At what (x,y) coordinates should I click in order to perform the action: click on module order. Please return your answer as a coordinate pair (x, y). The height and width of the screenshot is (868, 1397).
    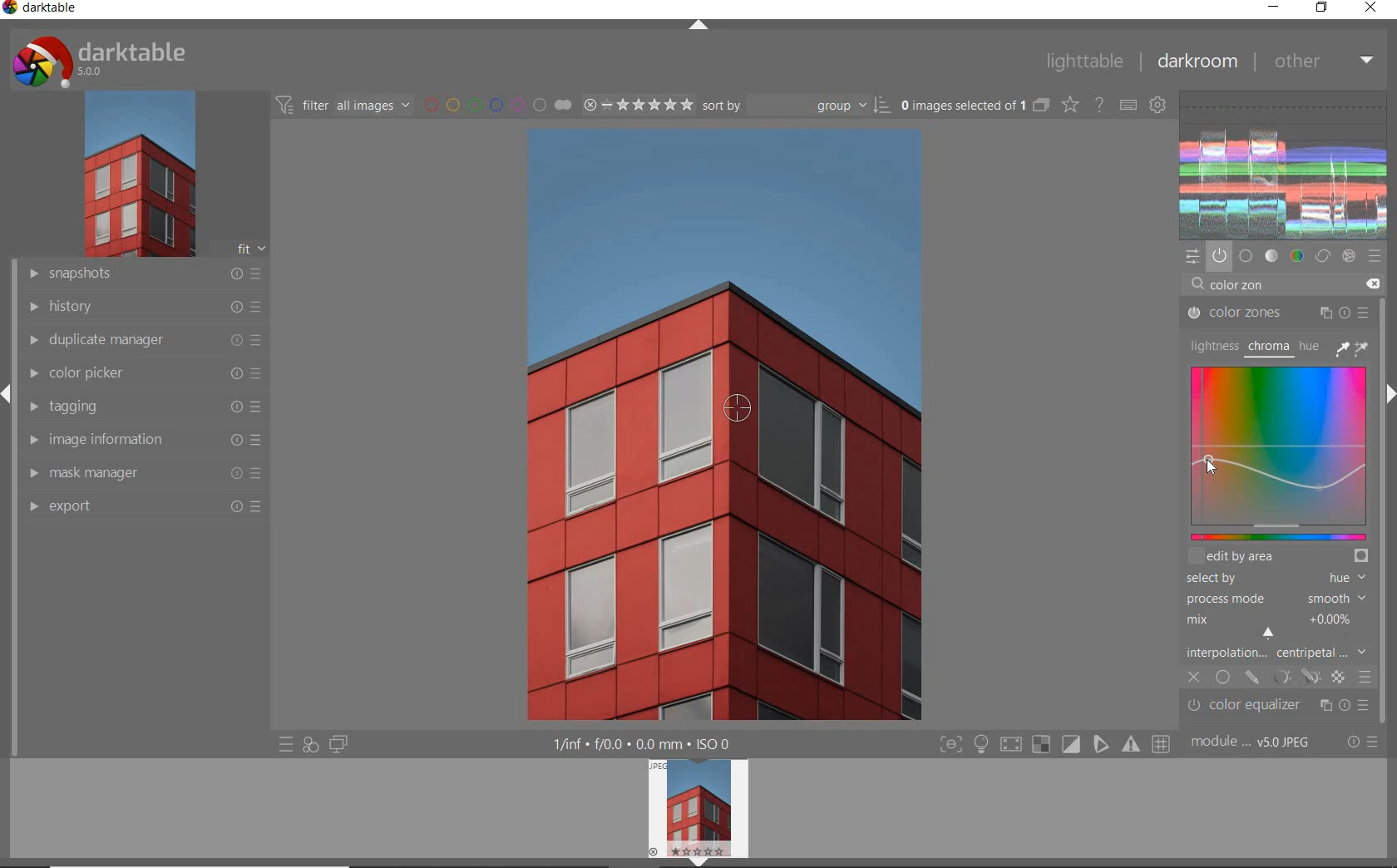
    Looking at the image, I should click on (1255, 744).